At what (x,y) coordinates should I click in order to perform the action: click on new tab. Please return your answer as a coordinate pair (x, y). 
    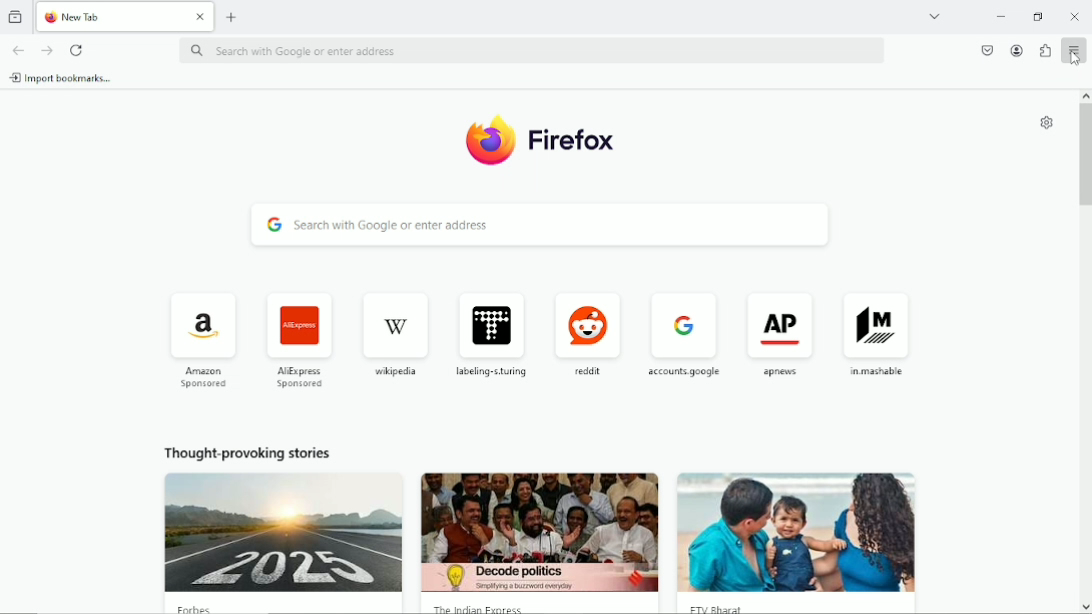
    Looking at the image, I should click on (108, 16).